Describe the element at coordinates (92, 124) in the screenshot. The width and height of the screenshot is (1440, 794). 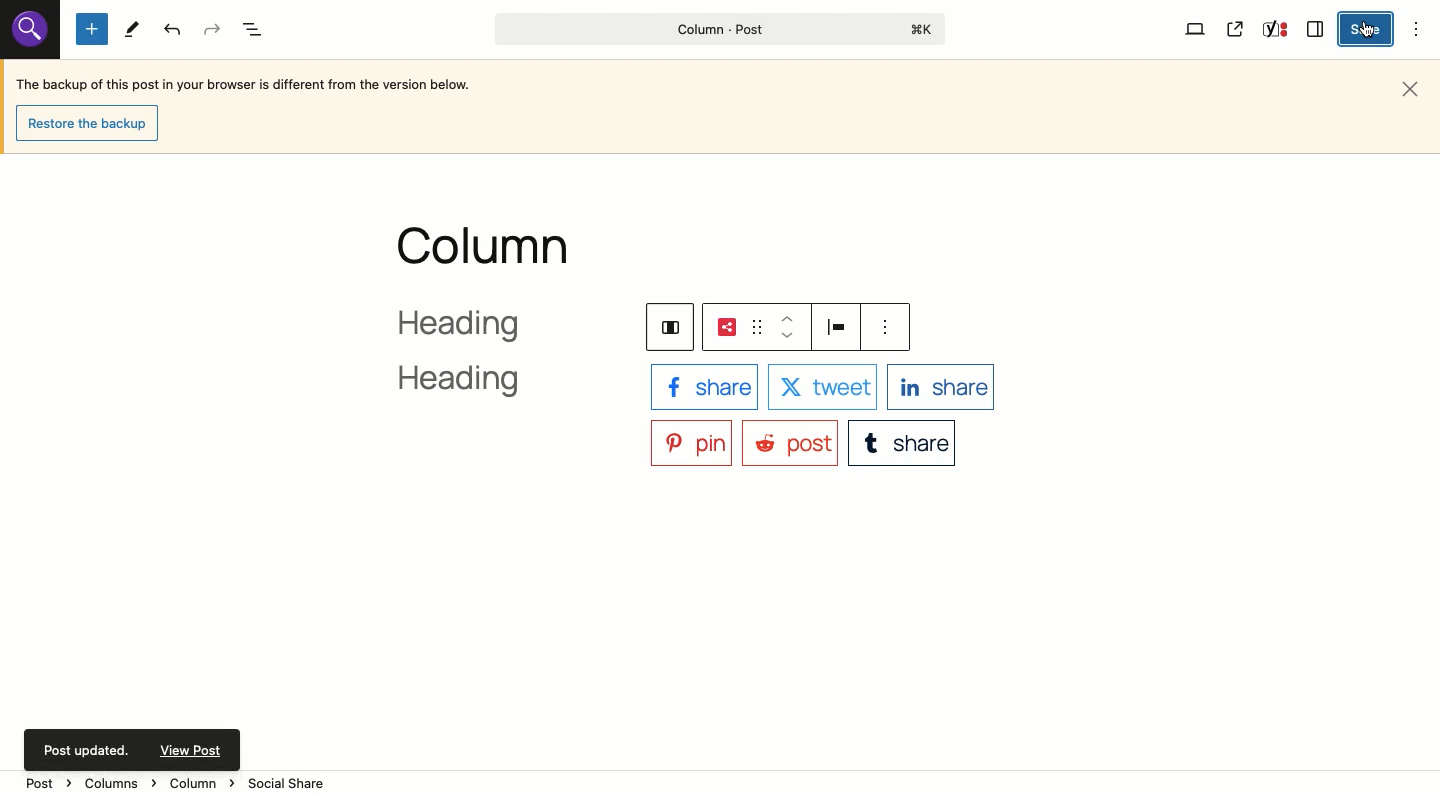
I see `Restore the backup` at that location.